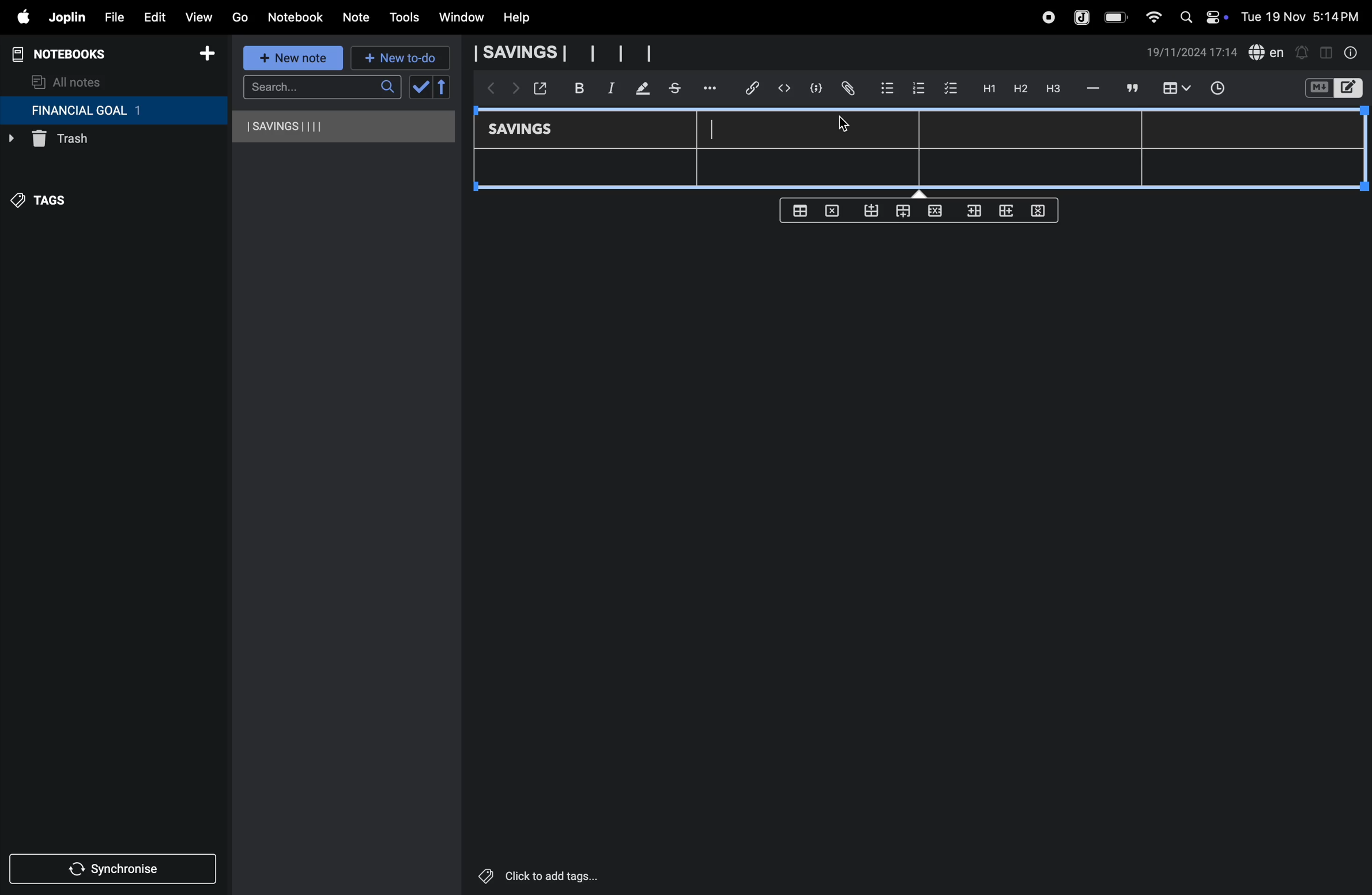  I want to click on code block, so click(812, 88).